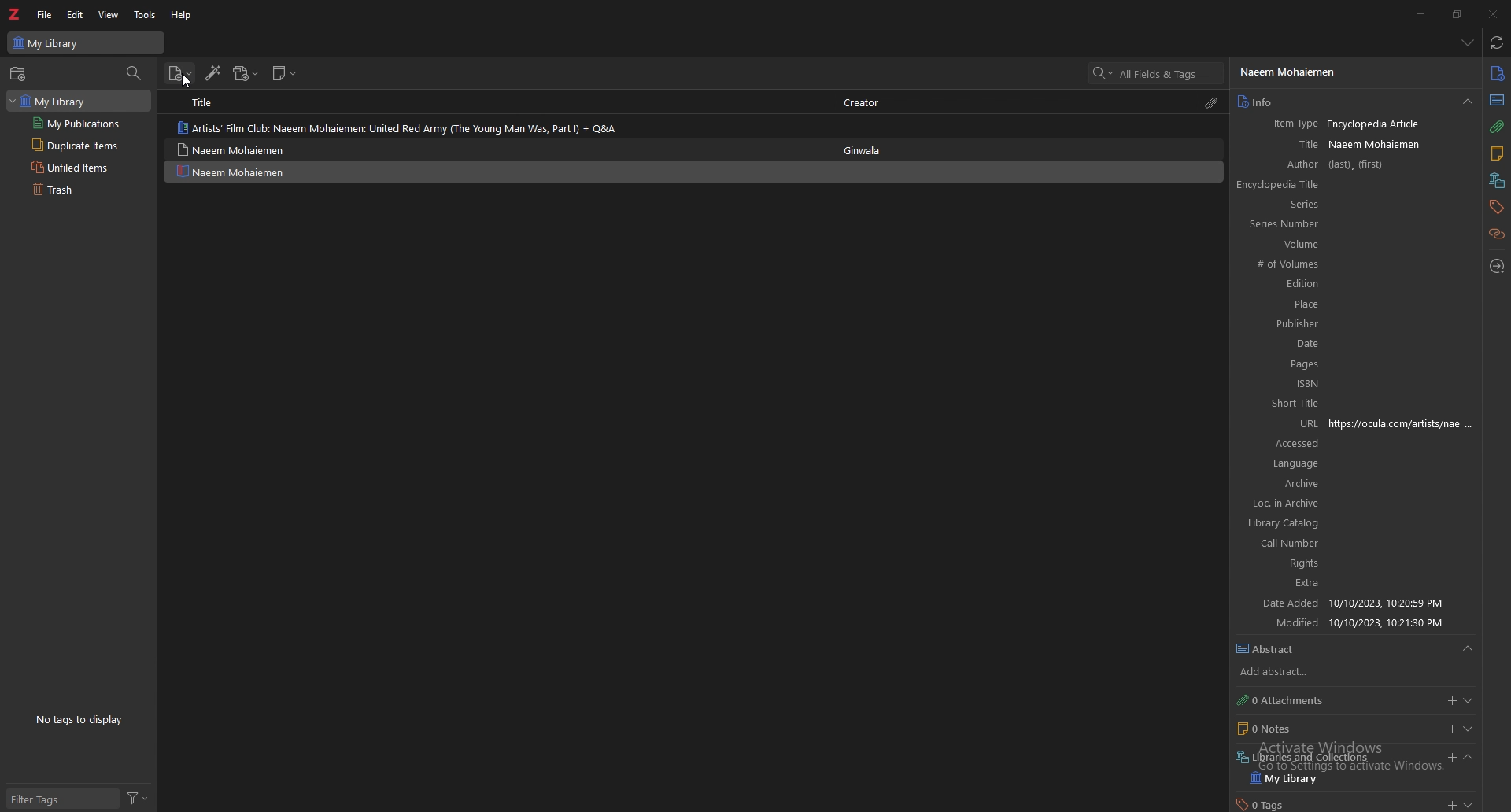  Describe the element at coordinates (1468, 103) in the screenshot. I see `drop down` at that location.